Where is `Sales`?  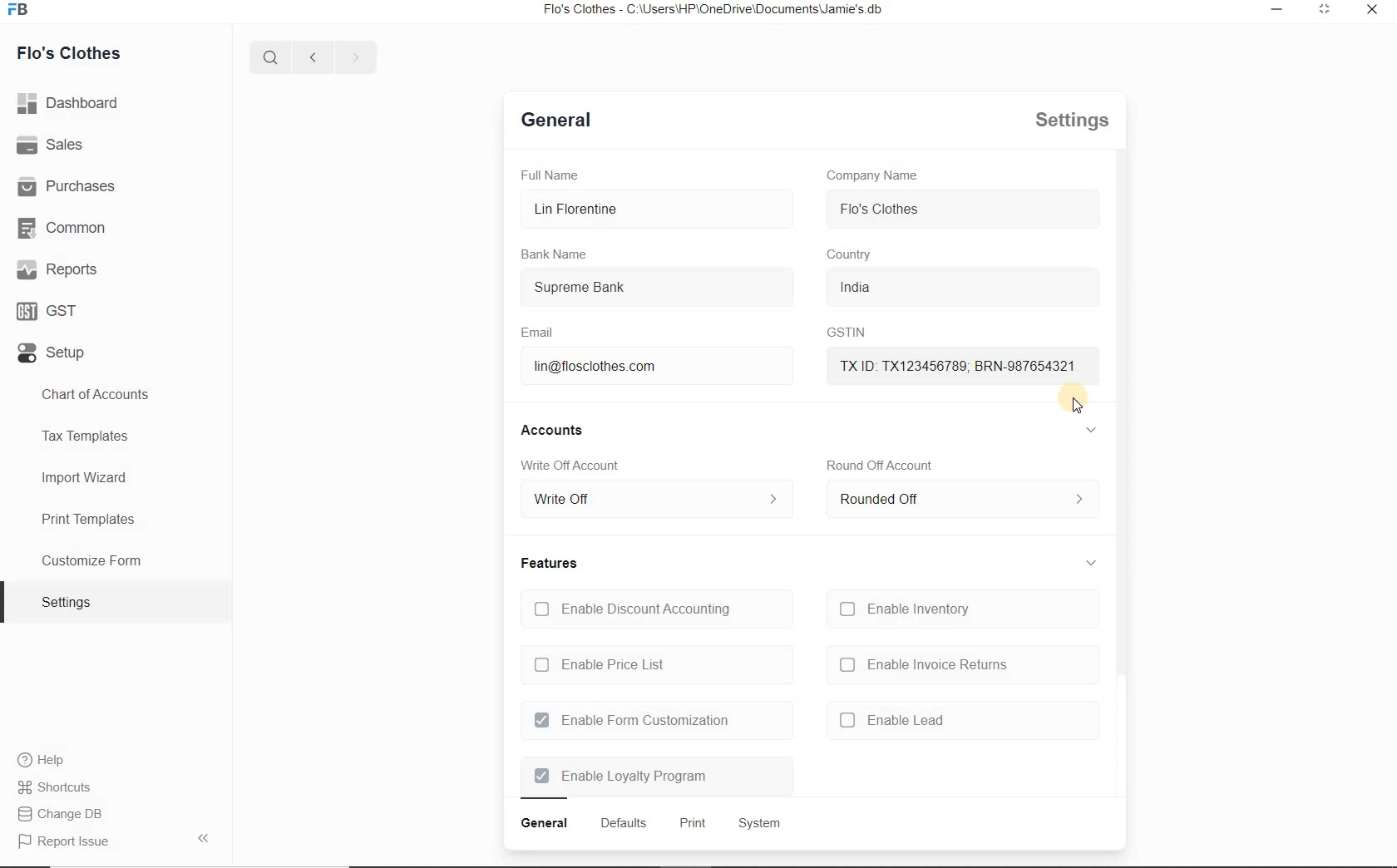 Sales is located at coordinates (53, 146).